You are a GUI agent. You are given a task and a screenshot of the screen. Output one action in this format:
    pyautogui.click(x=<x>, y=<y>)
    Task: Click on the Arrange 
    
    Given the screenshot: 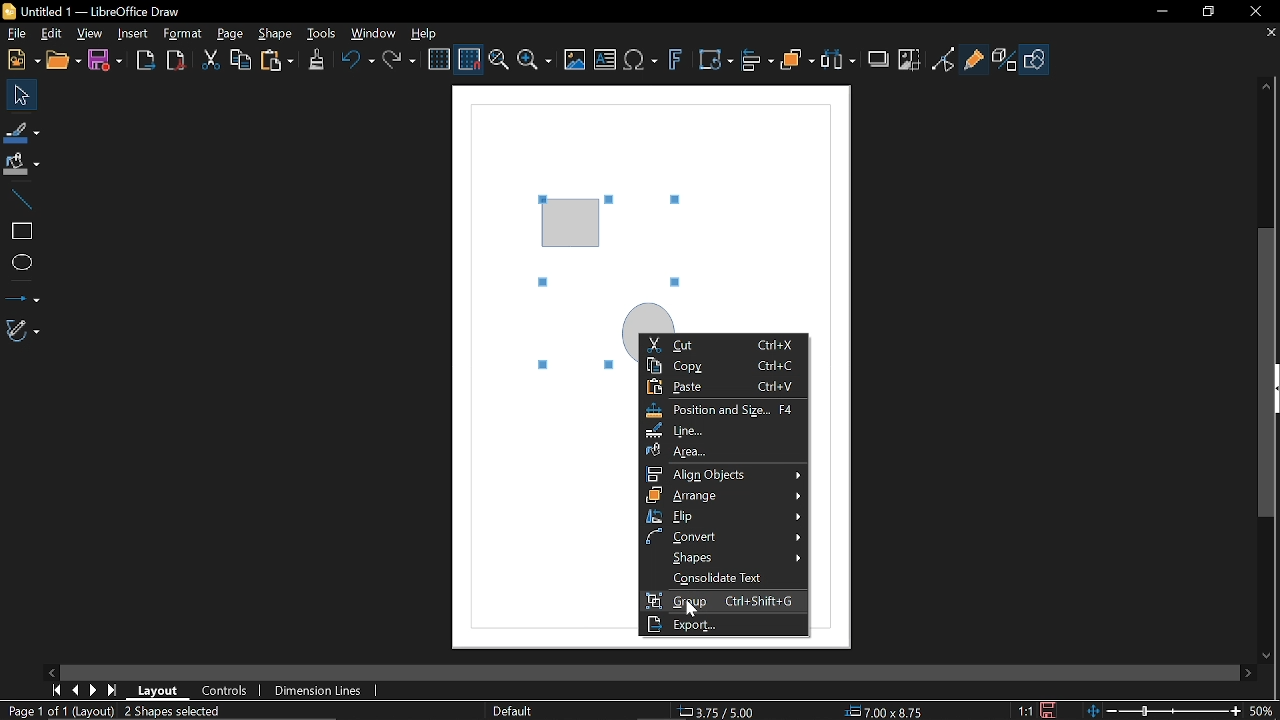 What is the action you would take?
    pyautogui.click(x=723, y=494)
    